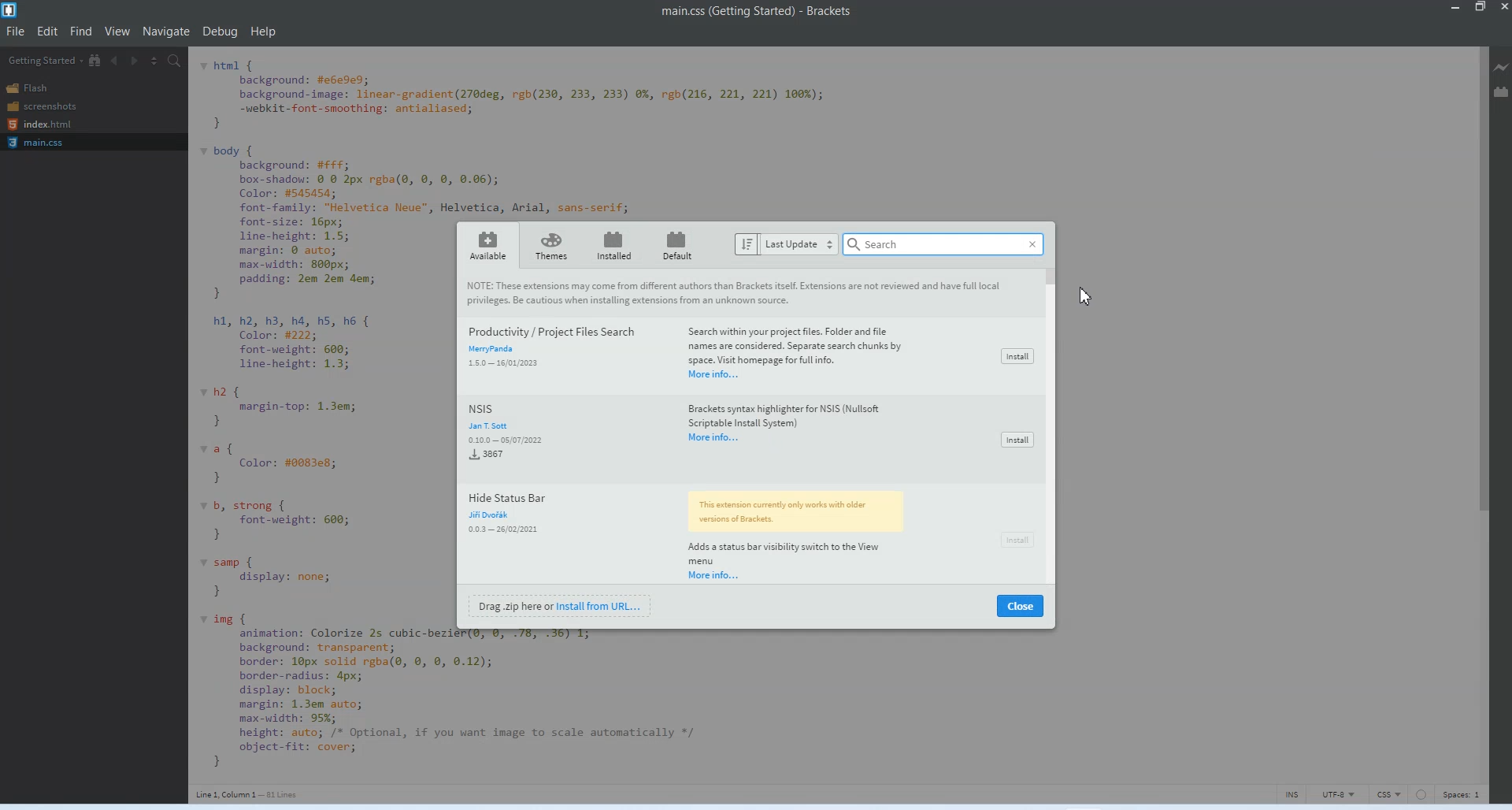  Describe the element at coordinates (1051, 426) in the screenshot. I see `Vertical Scroll Bar` at that location.